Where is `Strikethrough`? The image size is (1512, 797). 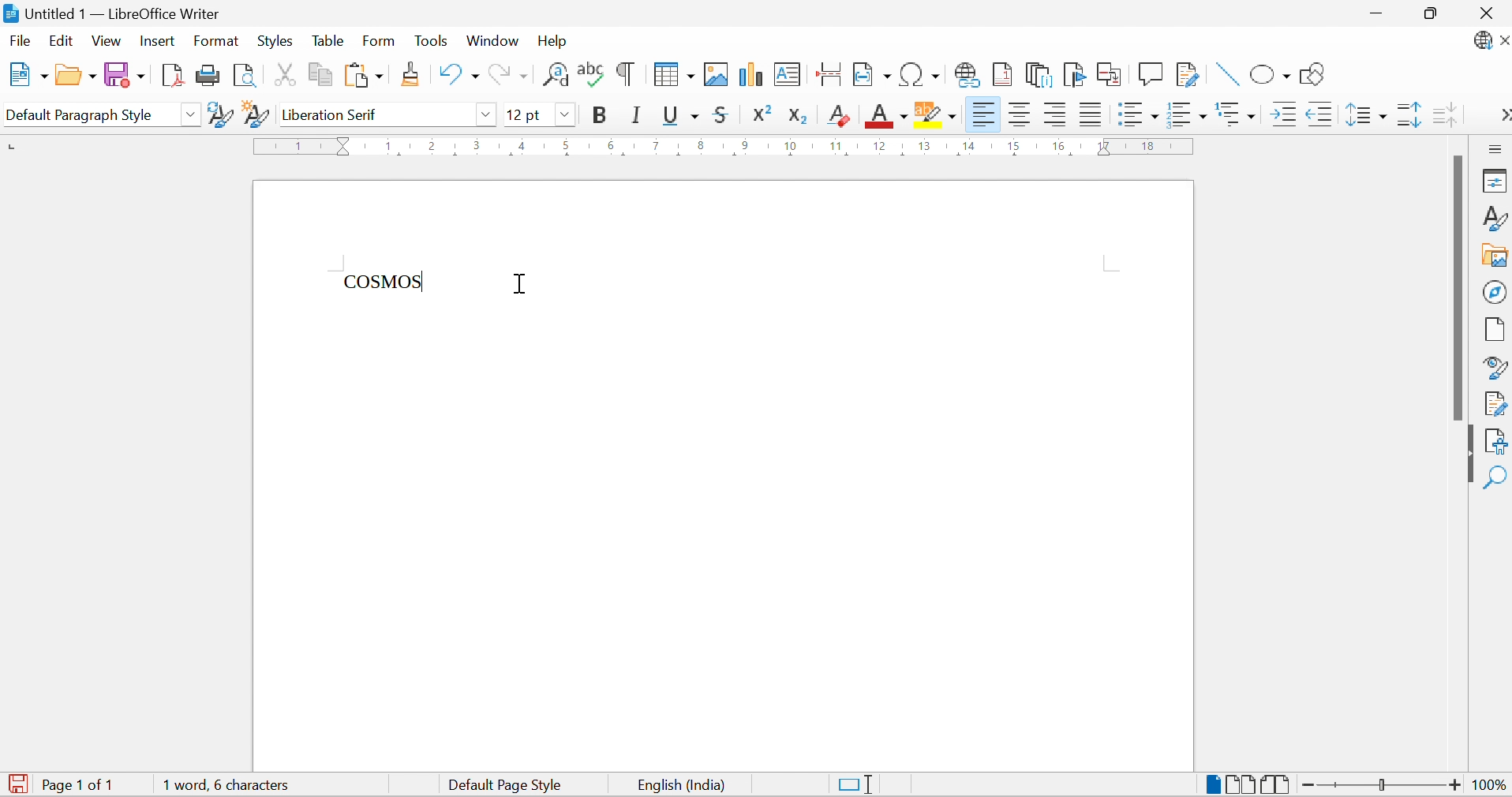
Strikethrough is located at coordinates (724, 115).